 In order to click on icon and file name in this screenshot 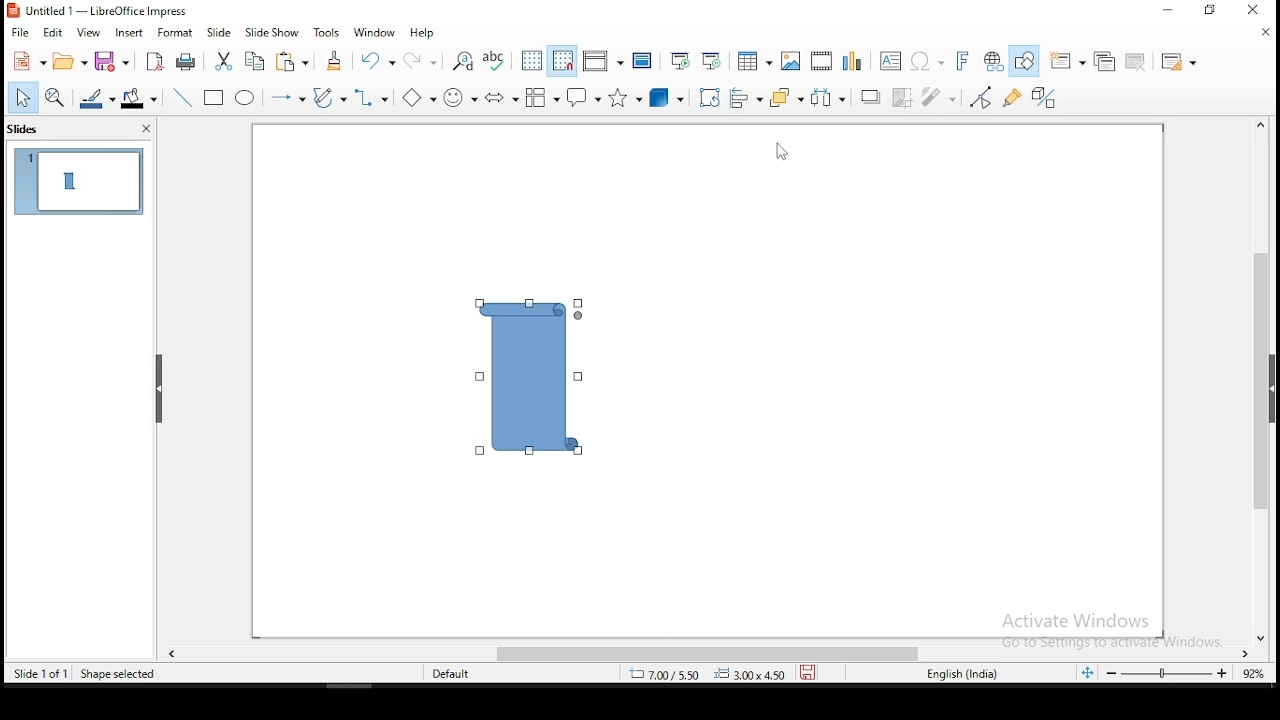, I will do `click(111, 11)`.